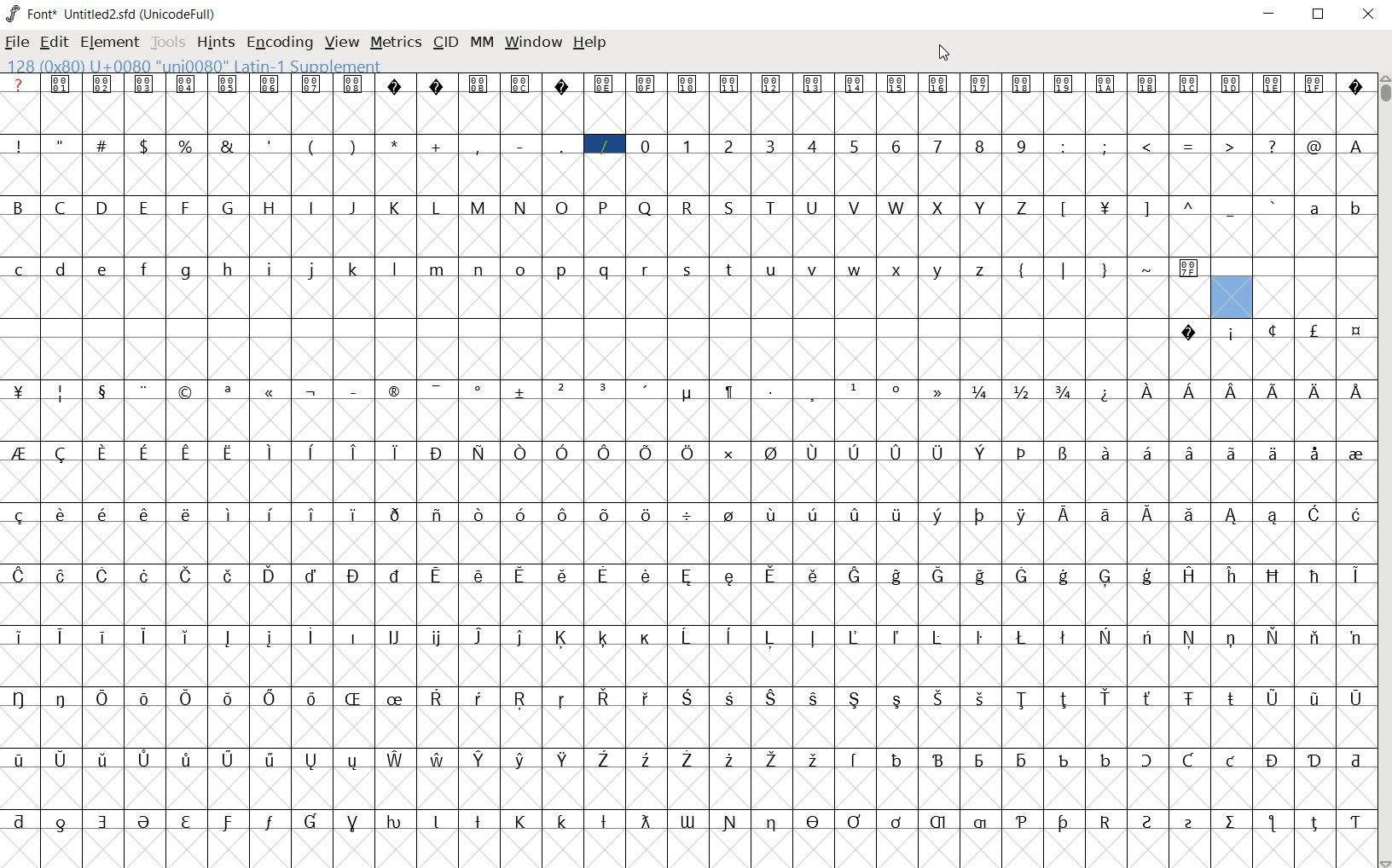 The width and height of the screenshot is (1392, 868). Describe the element at coordinates (813, 84) in the screenshot. I see `glyph` at that location.